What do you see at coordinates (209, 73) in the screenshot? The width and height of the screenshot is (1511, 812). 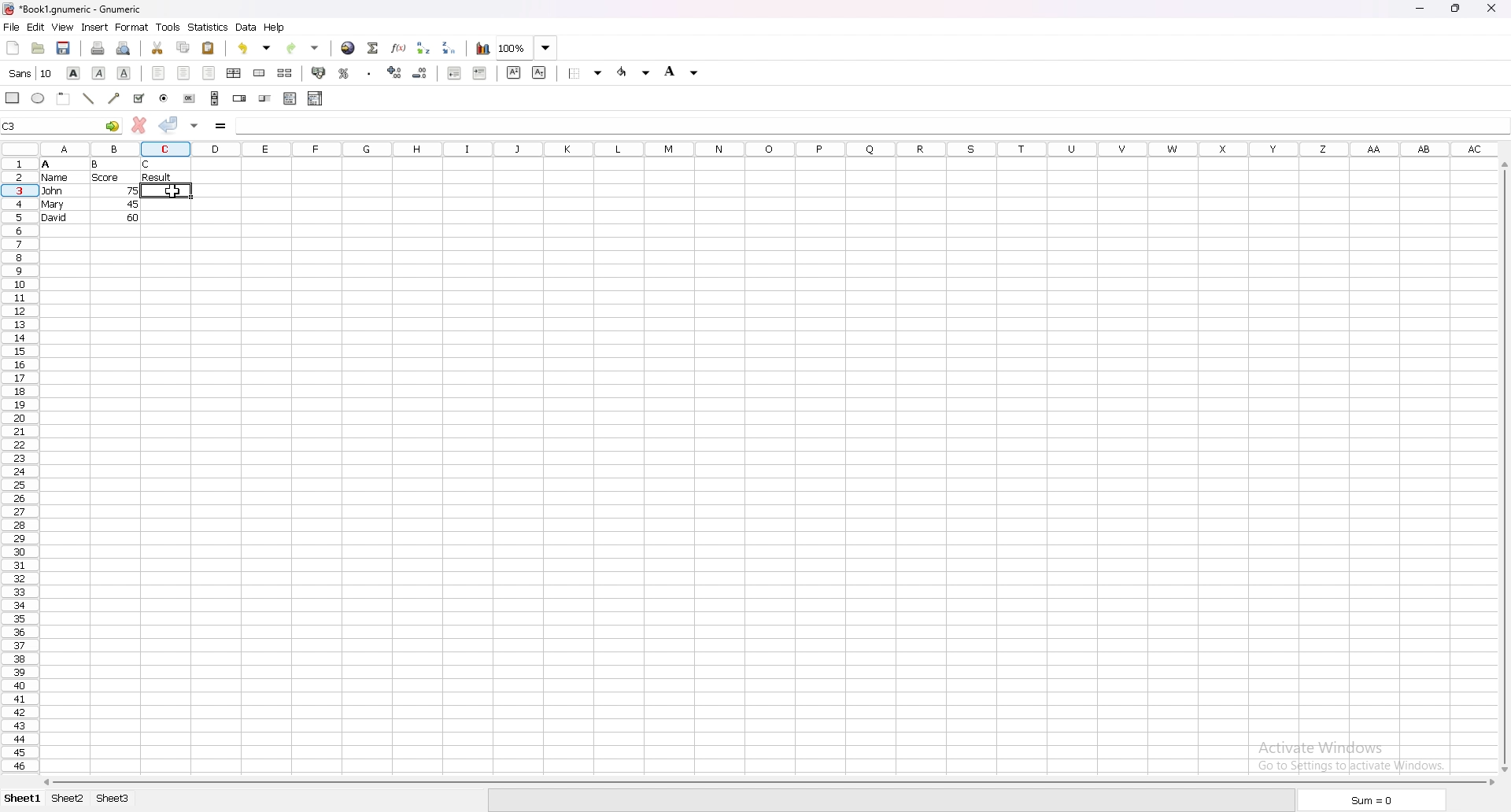 I see `align right` at bounding box center [209, 73].